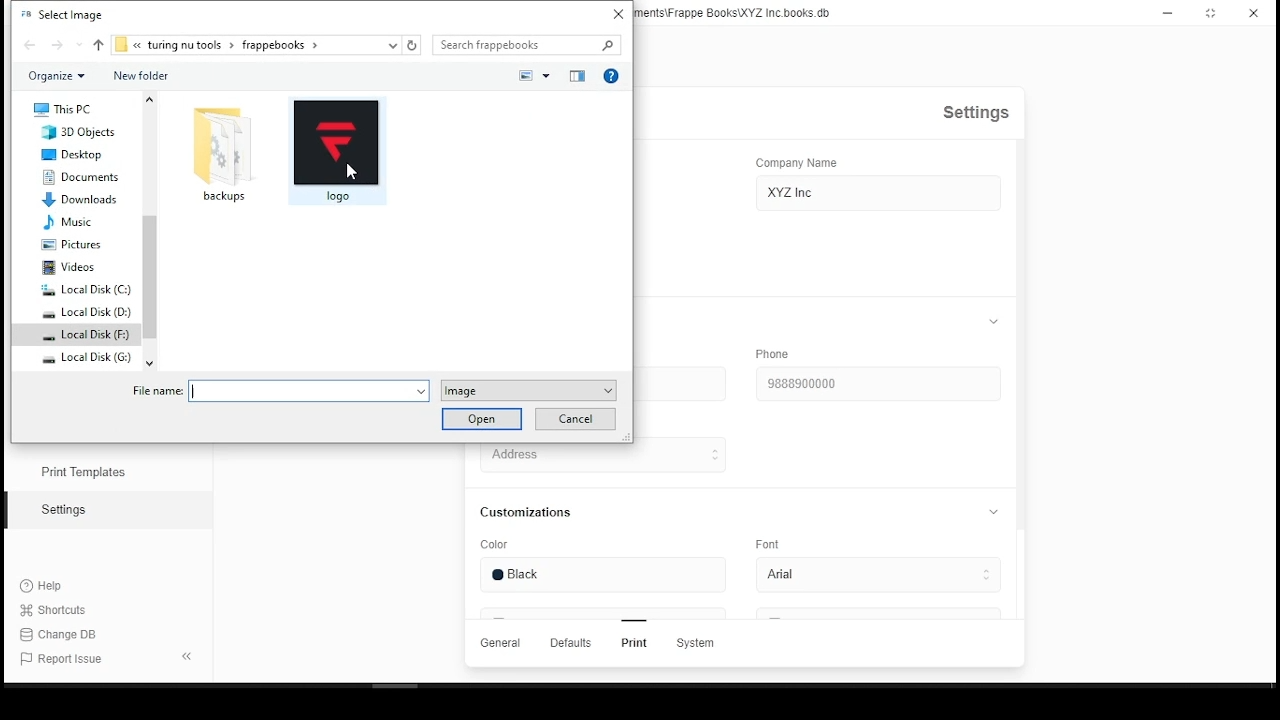 The image size is (1280, 720). What do you see at coordinates (796, 160) in the screenshot?
I see `Company Name` at bounding box center [796, 160].